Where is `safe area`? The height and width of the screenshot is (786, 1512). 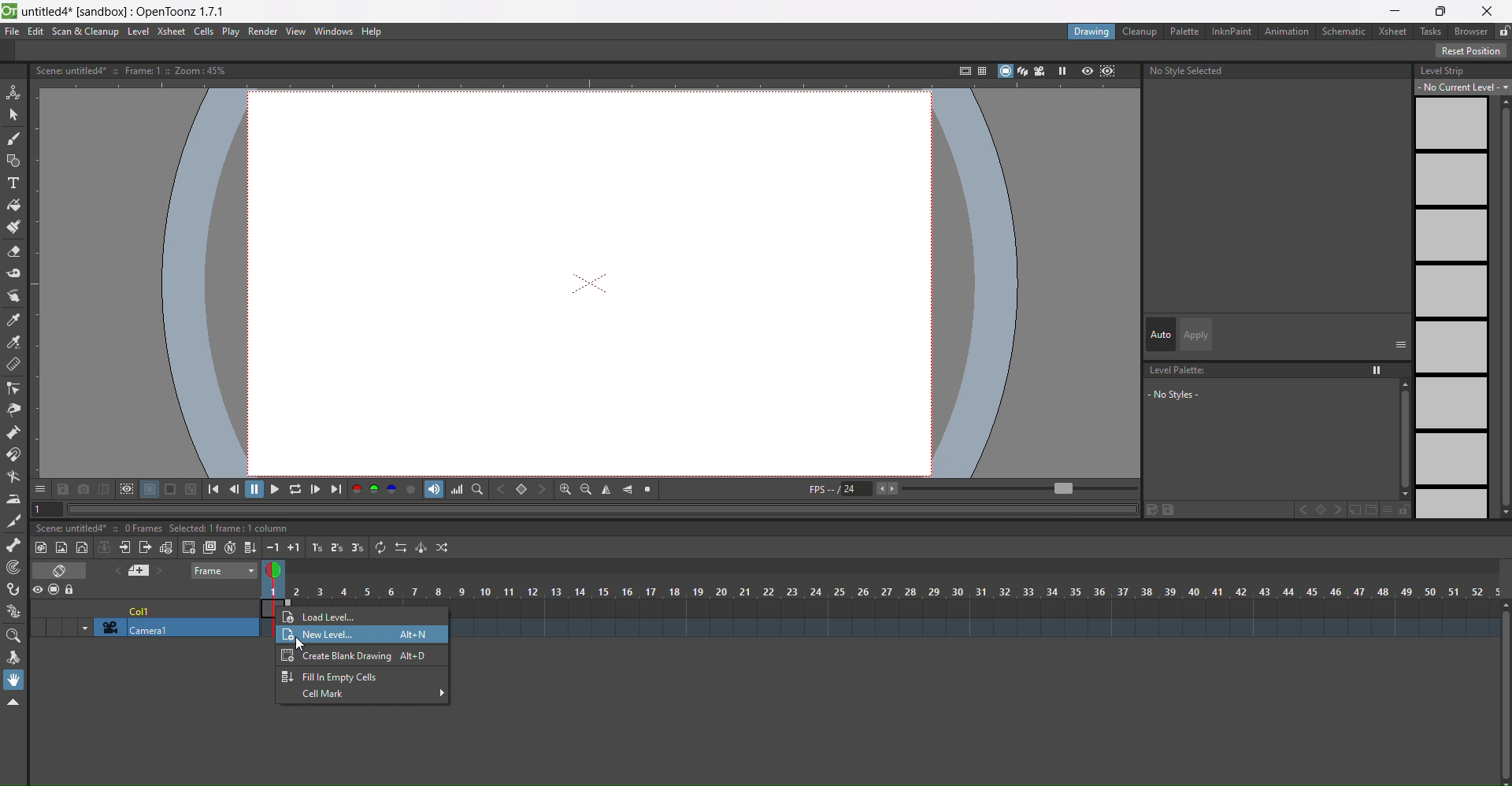
safe area is located at coordinates (961, 71).